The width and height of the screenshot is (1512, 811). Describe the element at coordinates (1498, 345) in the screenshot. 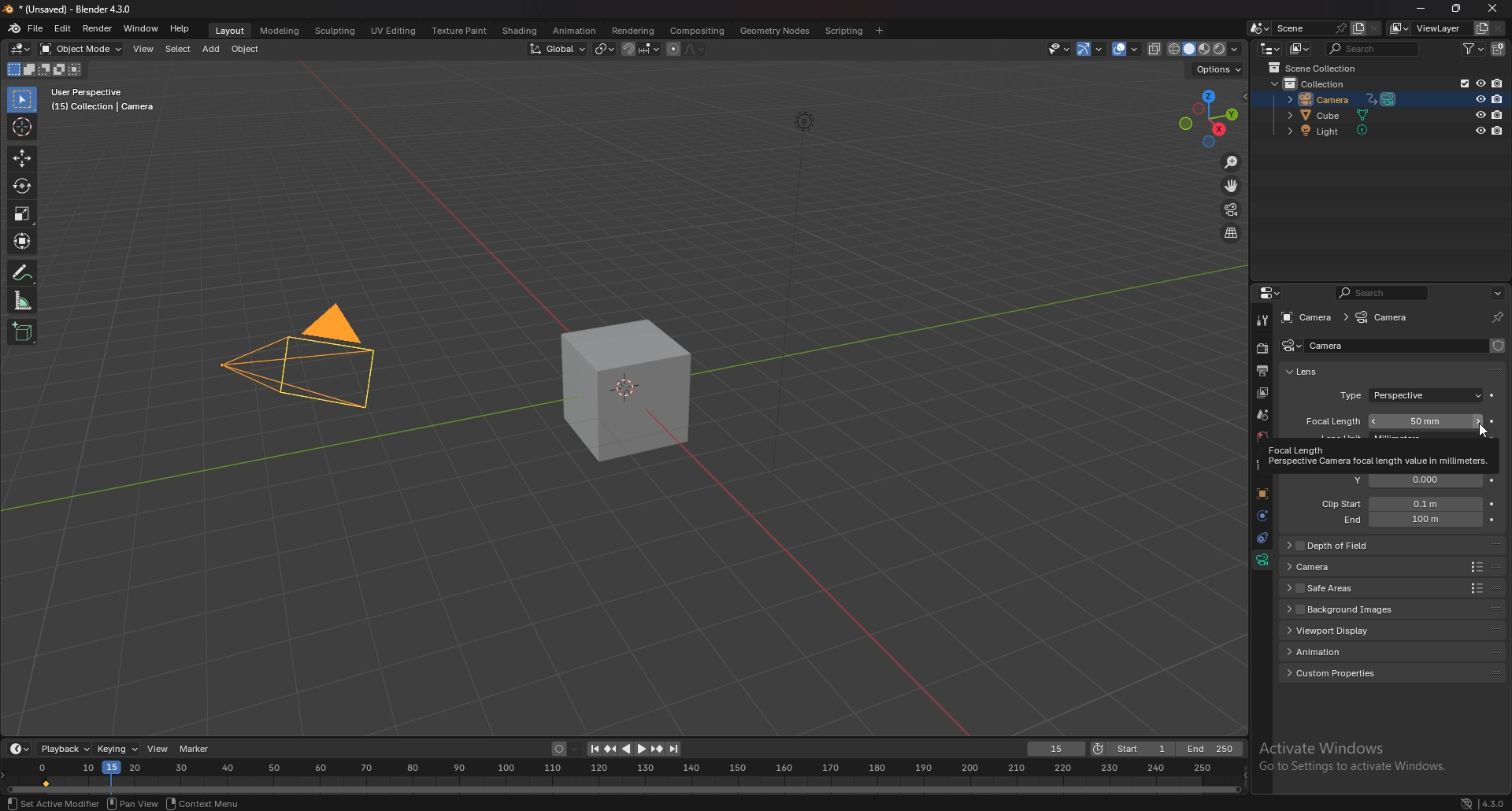

I see `fake user` at that location.